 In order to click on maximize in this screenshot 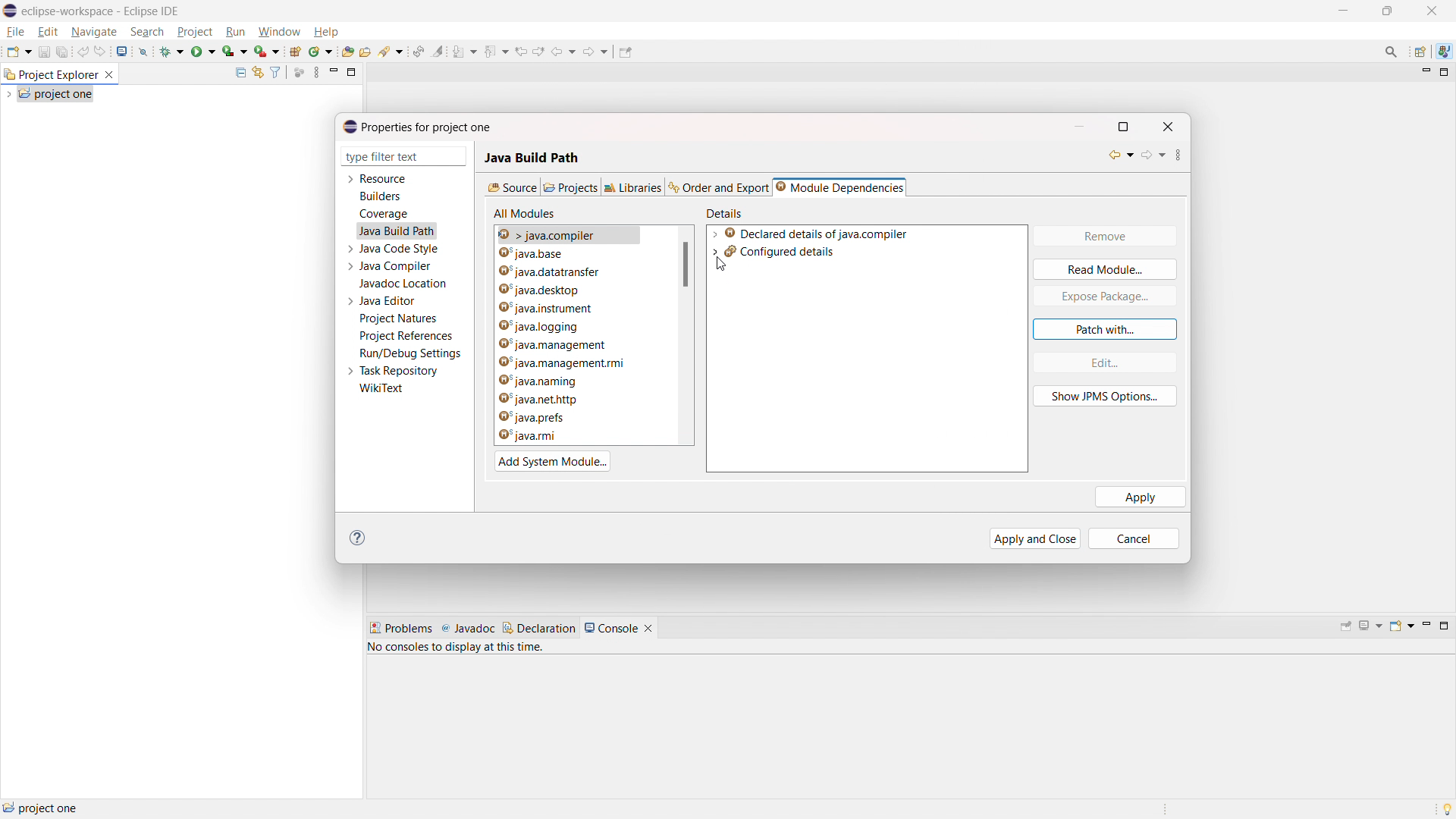, I will do `click(1444, 626)`.